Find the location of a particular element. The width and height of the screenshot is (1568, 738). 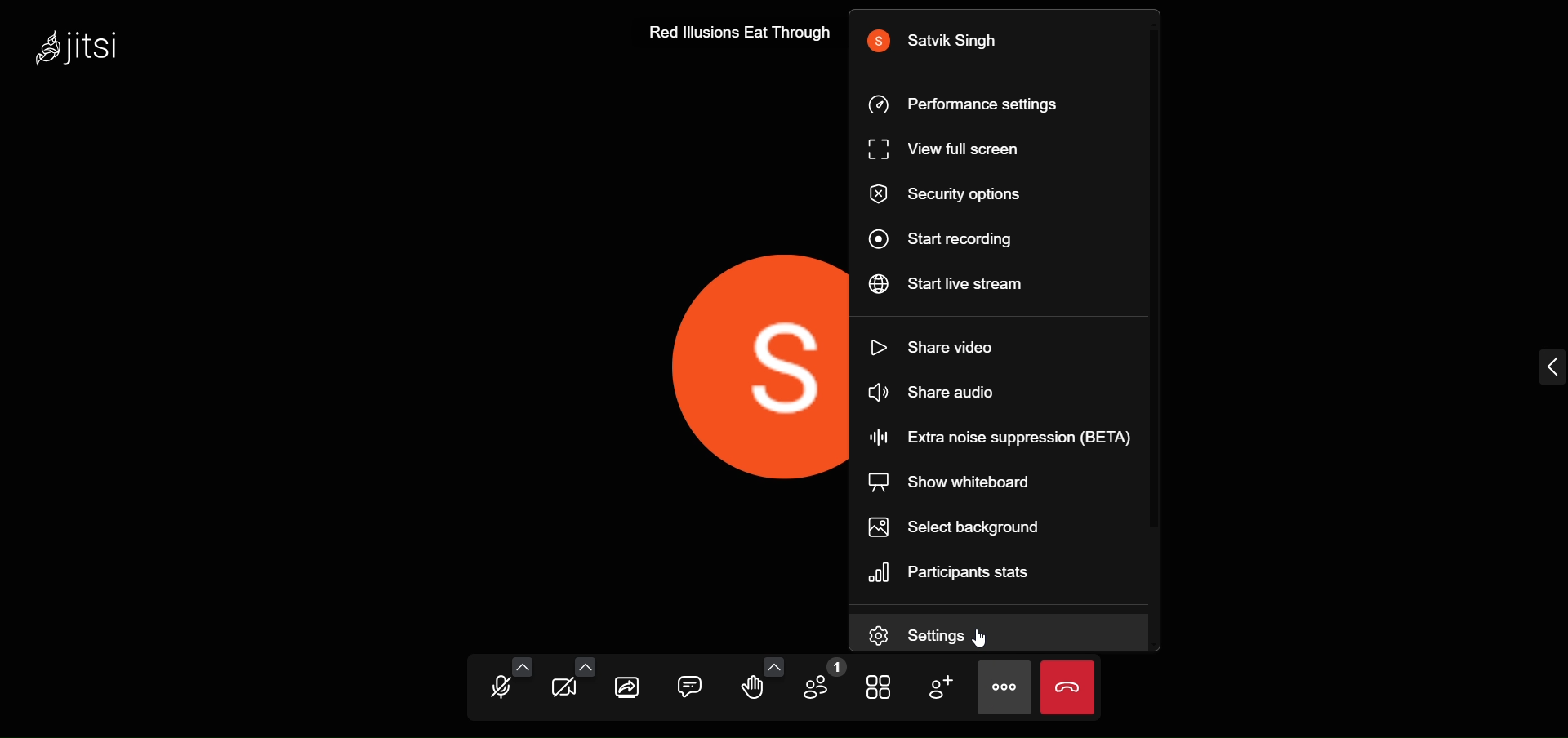

share video is located at coordinates (934, 393).